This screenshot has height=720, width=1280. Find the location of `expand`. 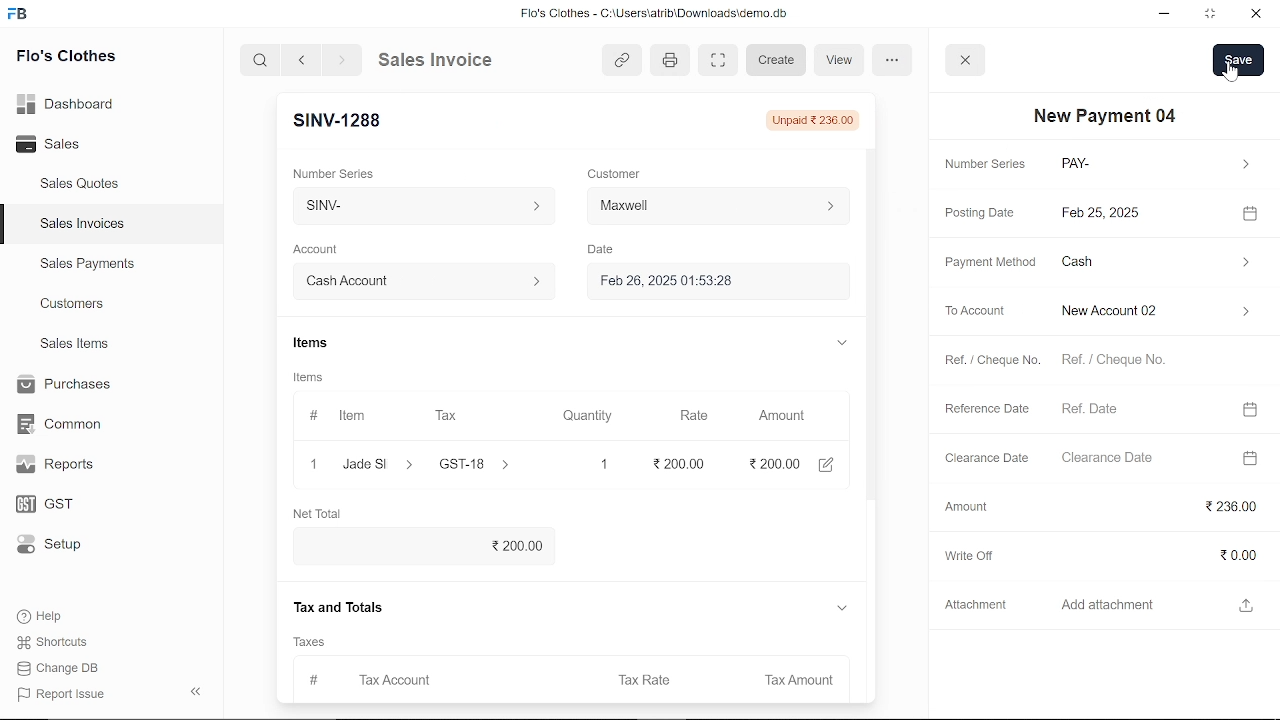

expand is located at coordinates (842, 607).